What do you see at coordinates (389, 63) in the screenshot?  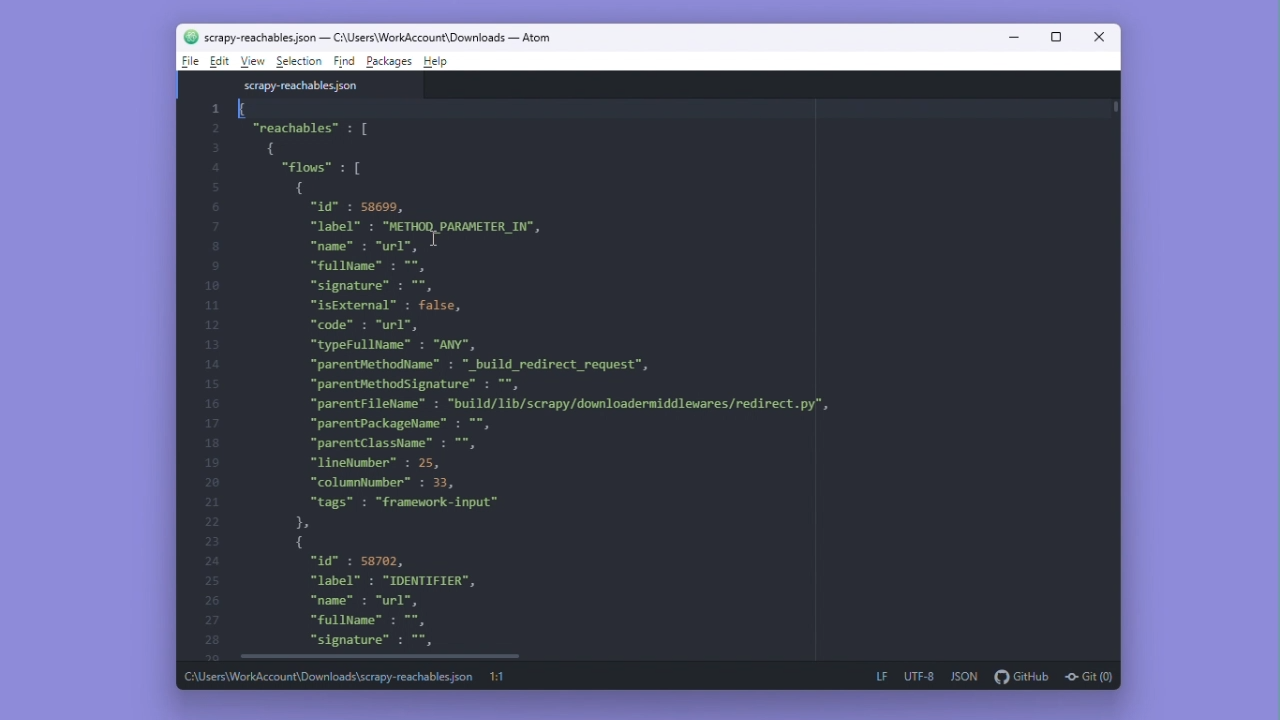 I see `Packages` at bounding box center [389, 63].